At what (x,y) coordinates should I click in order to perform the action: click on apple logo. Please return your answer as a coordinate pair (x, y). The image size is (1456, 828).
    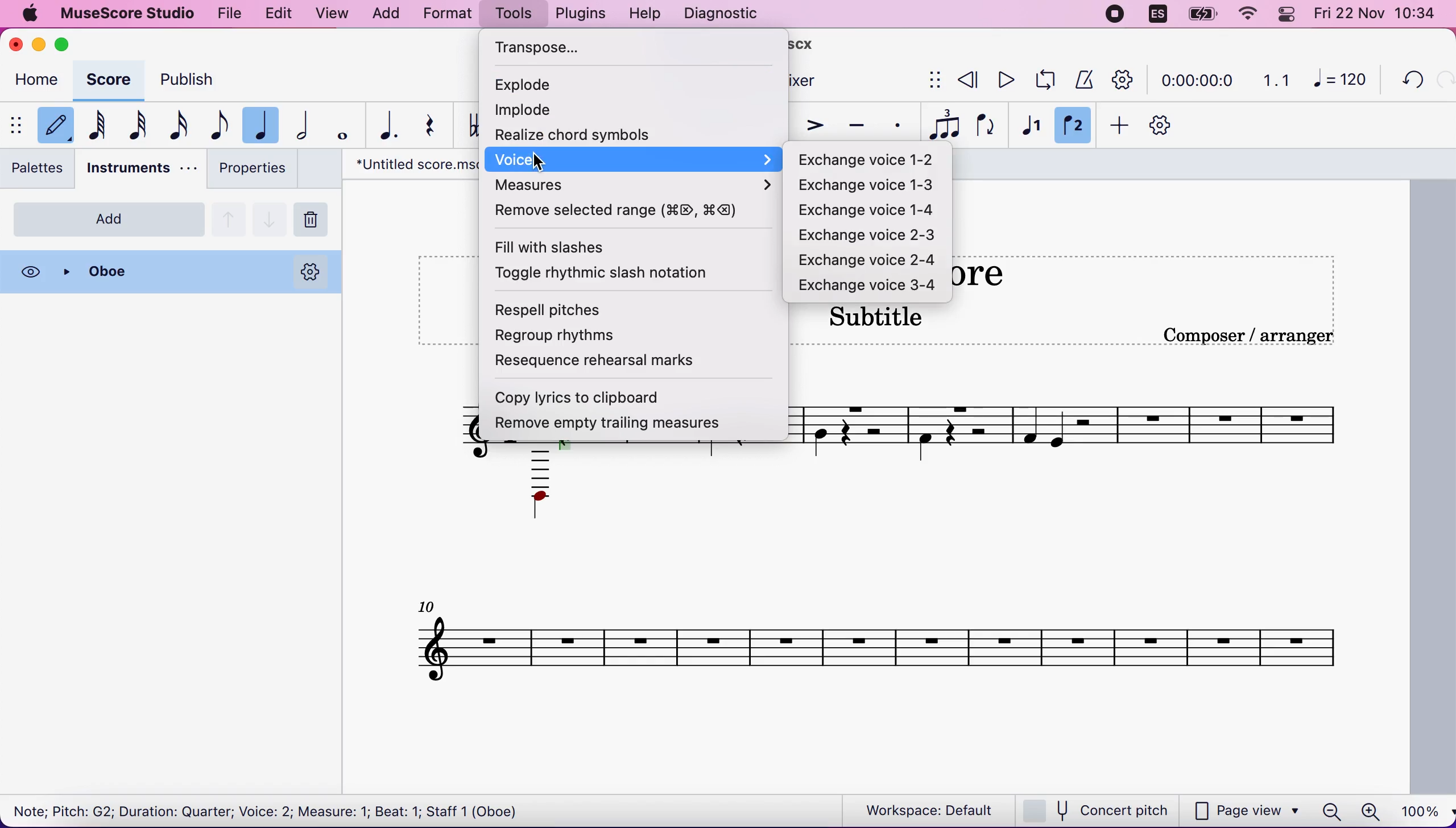
    Looking at the image, I should click on (35, 15).